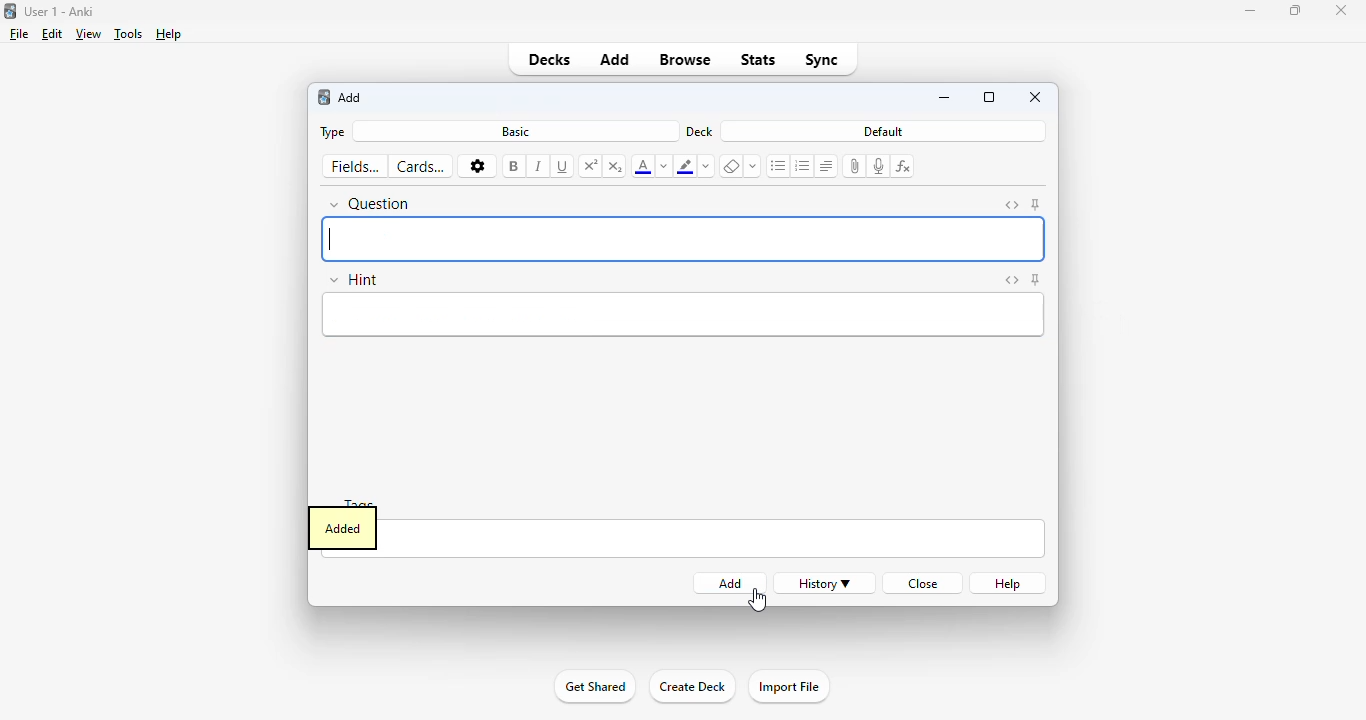 This screenshot has height=720, width=1366. Describe the element at coordinates (698, 132) in the screenshot. I see `deck` at that location.